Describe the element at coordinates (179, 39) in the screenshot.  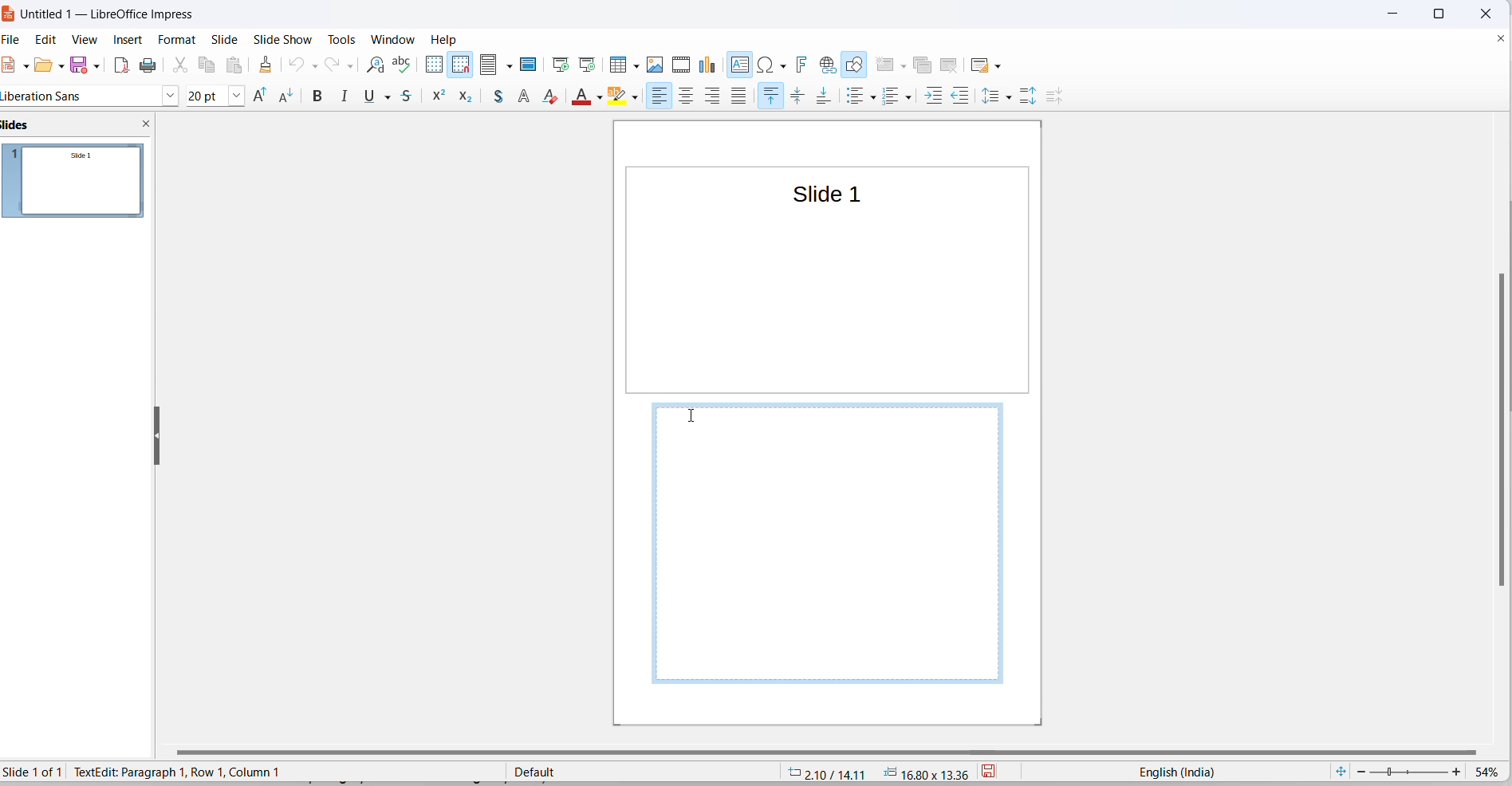
I see `format` at that location.